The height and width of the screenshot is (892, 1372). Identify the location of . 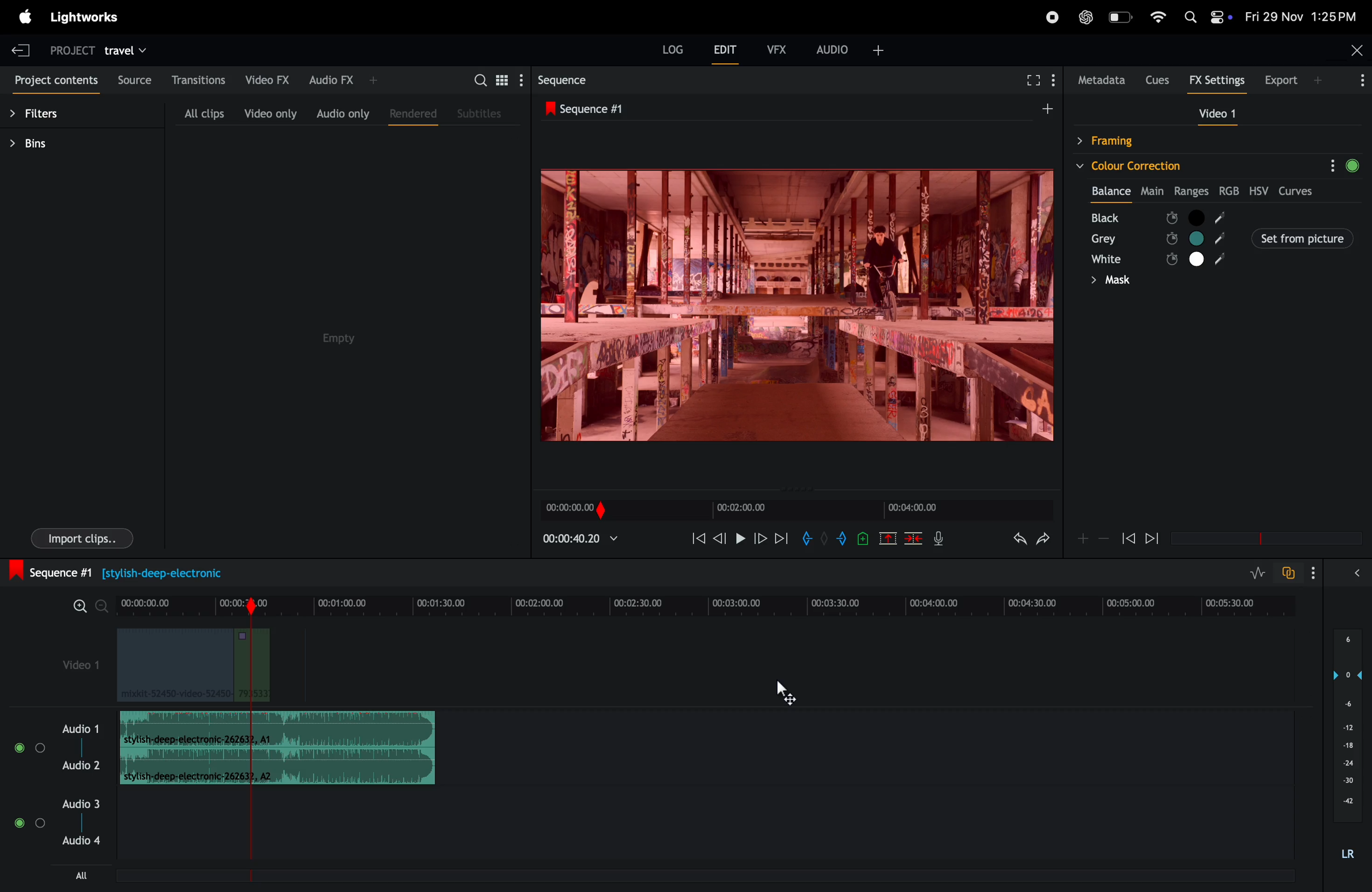
(846, 48).